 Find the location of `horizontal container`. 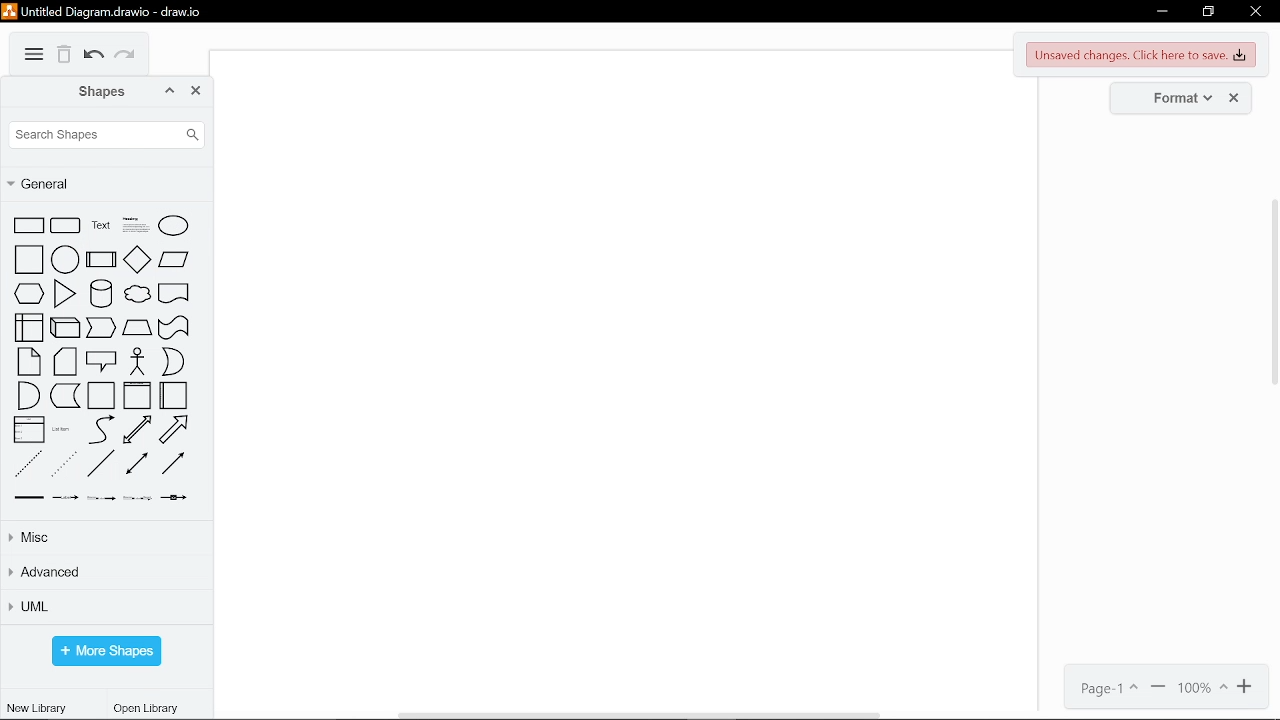

horizontal container is located at coordinates (174, 396).